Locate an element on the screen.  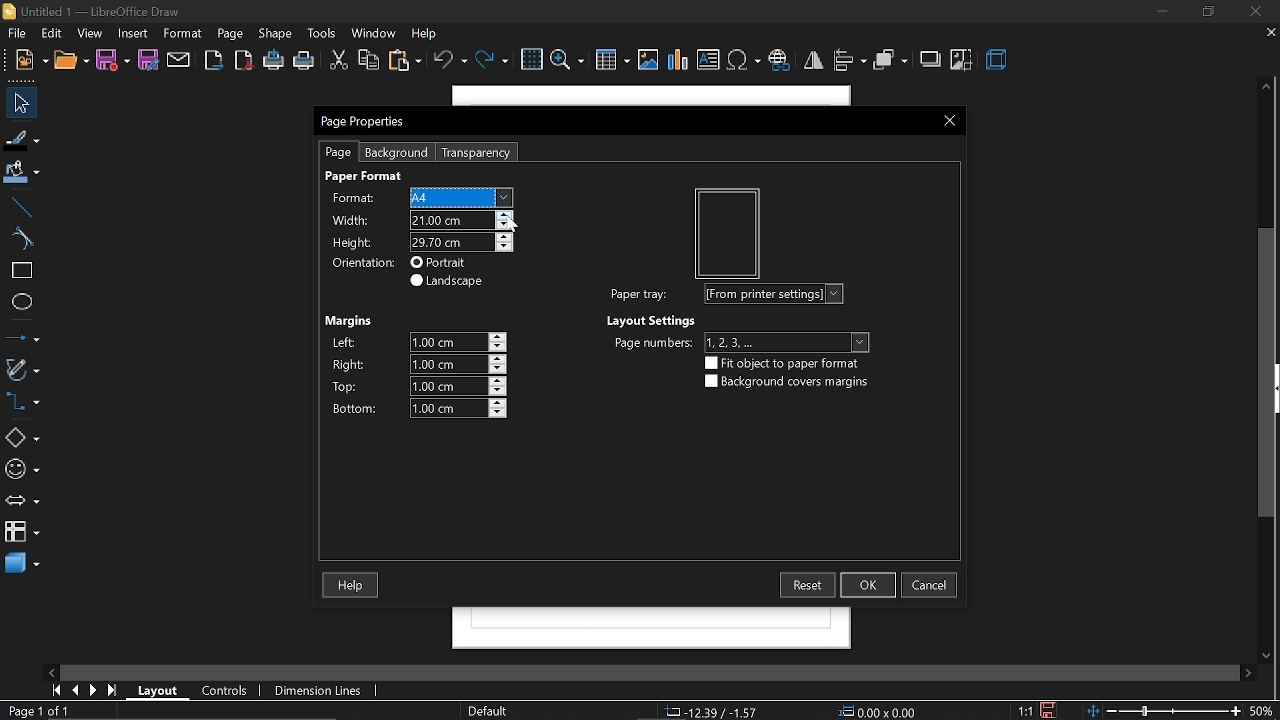
view is located at coordinates (90, 34).